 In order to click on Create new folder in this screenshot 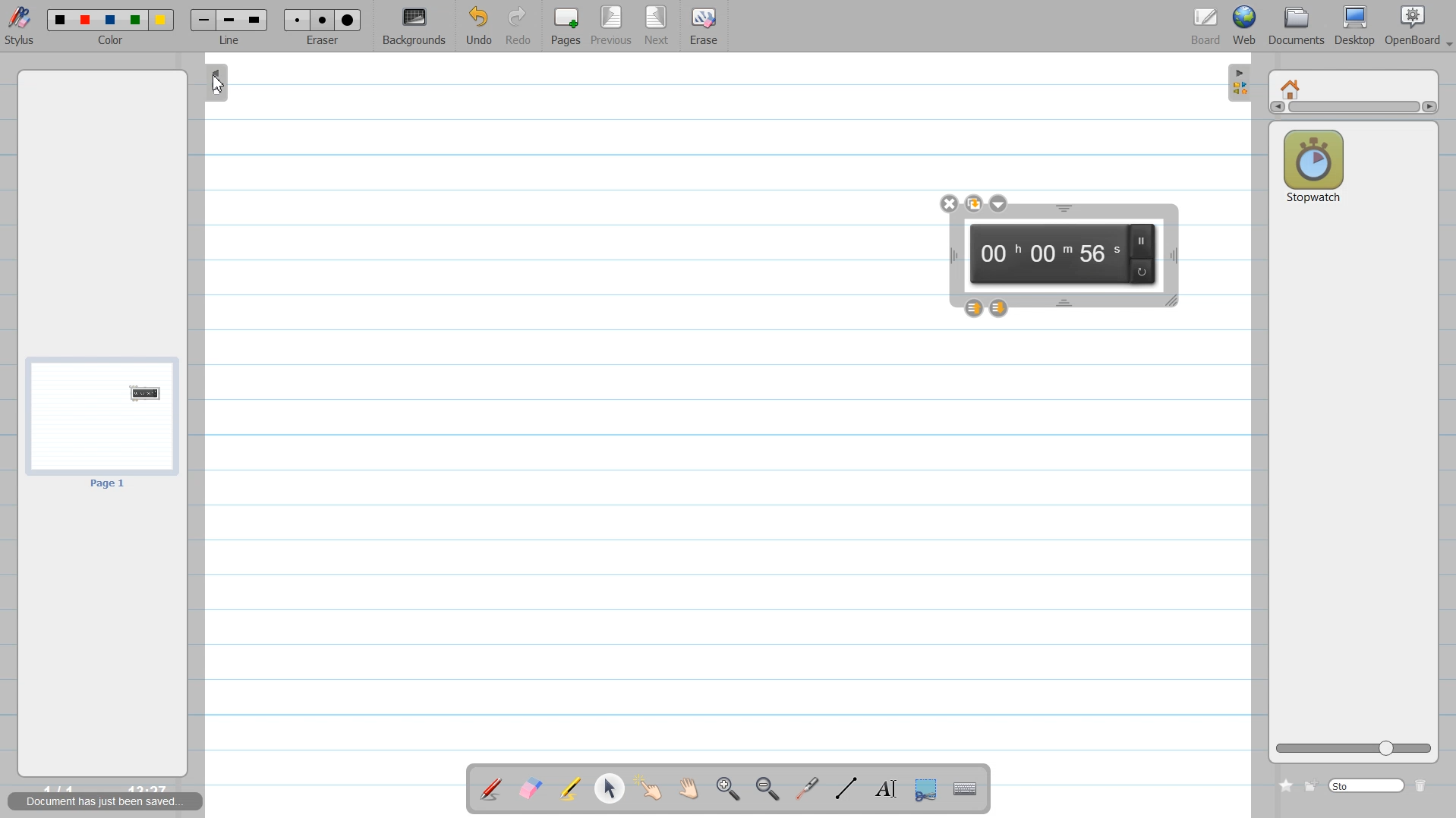, I will do `click(1312, 785)`.